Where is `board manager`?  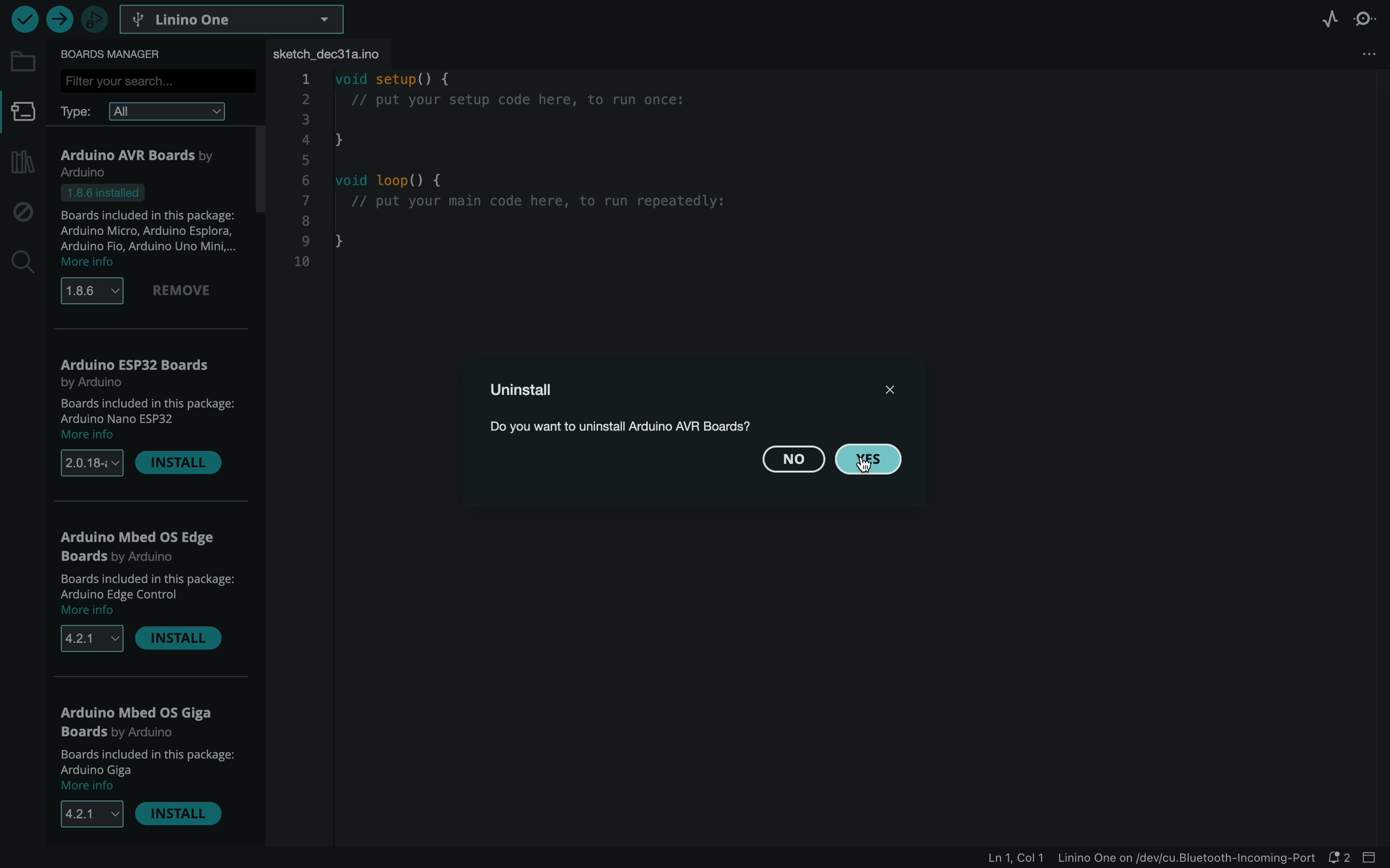 board manager is located at coordinates (21, 112).